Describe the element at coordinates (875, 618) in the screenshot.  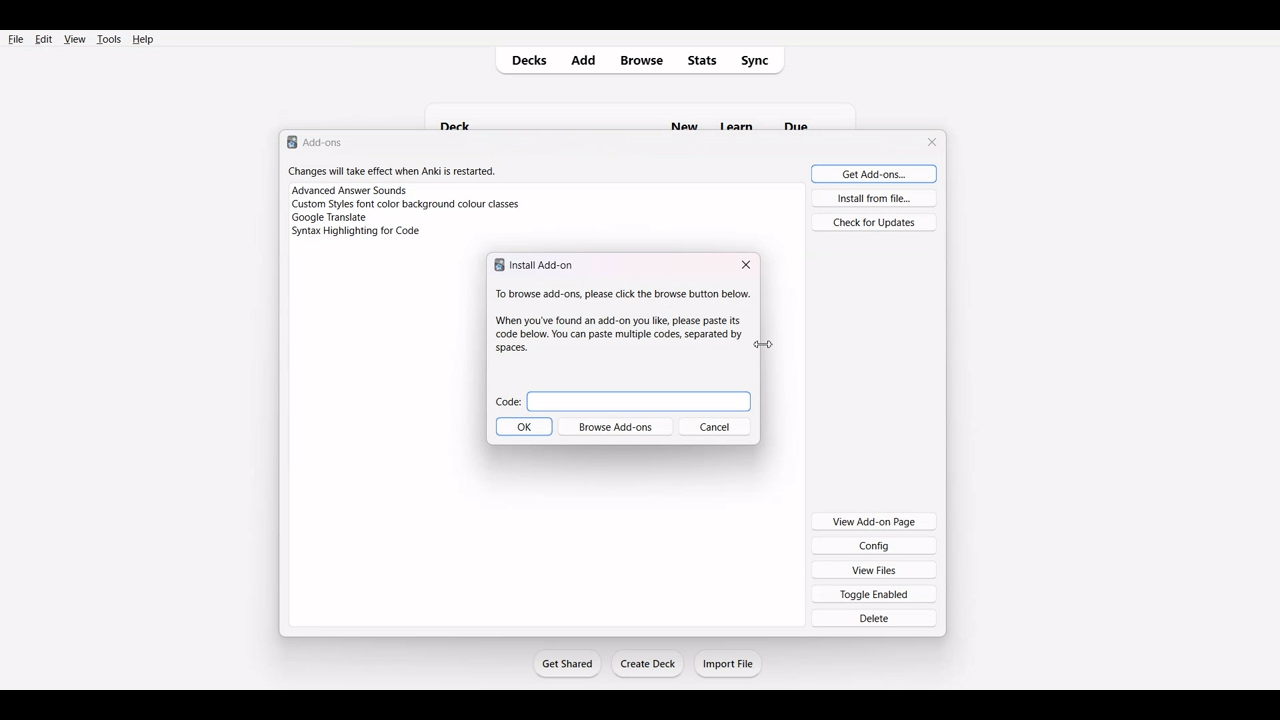
I see `Delete` at that location.